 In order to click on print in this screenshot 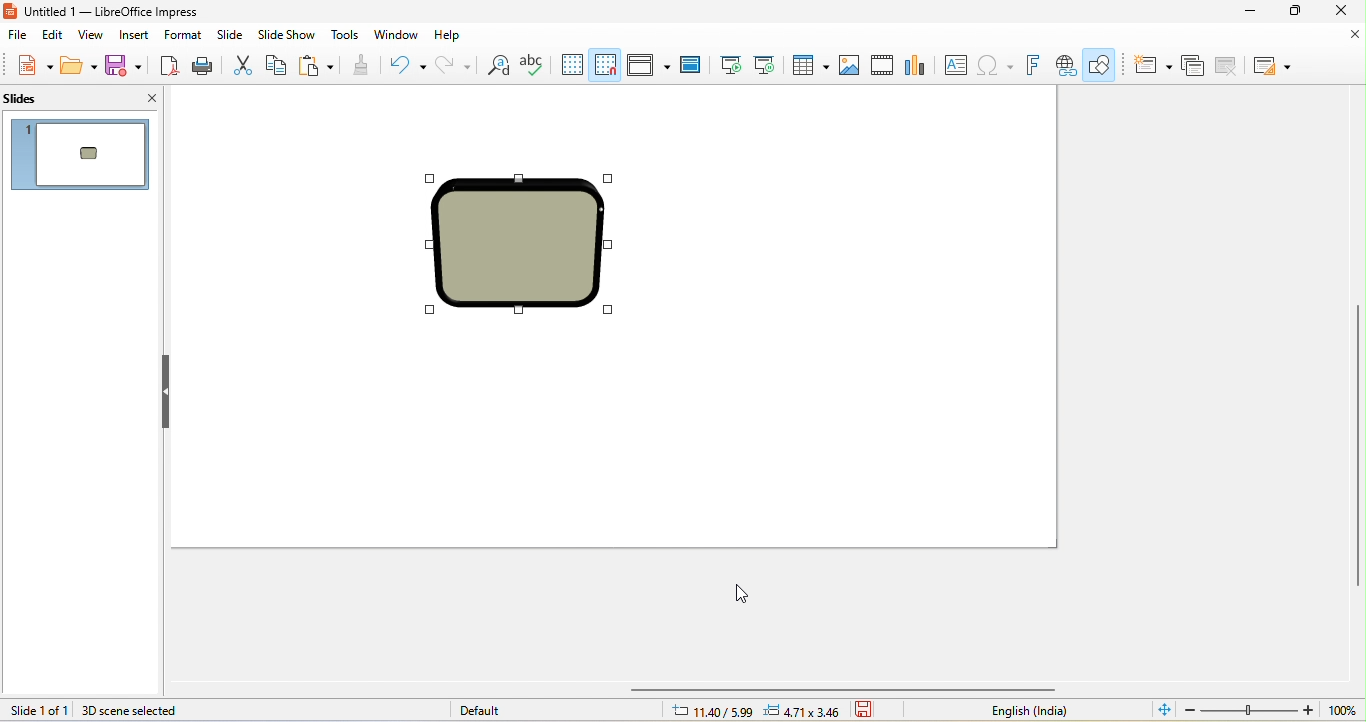, I will do `click(205, 64)`.